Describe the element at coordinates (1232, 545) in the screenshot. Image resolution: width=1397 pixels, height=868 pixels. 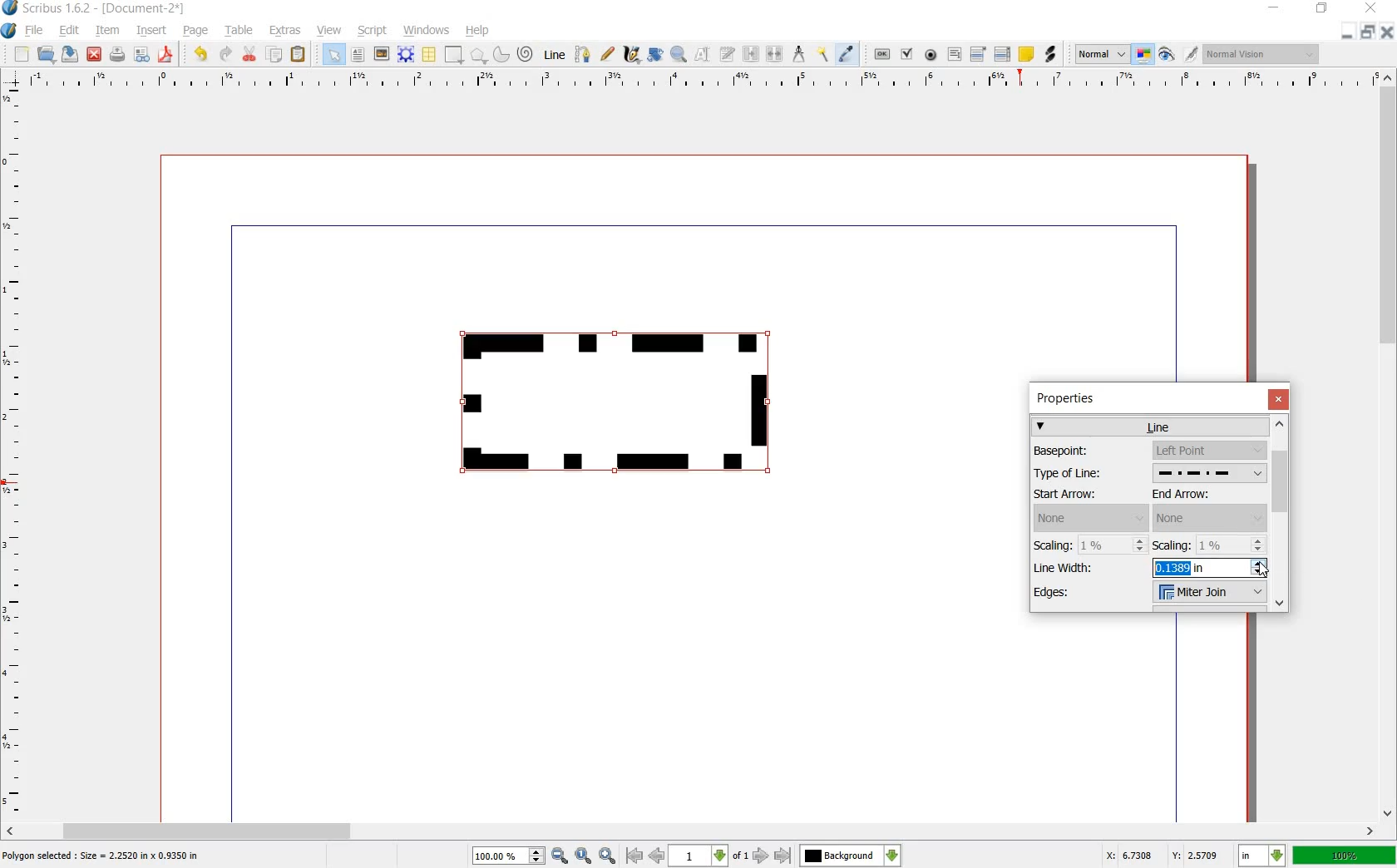
I see `1%` at that location.